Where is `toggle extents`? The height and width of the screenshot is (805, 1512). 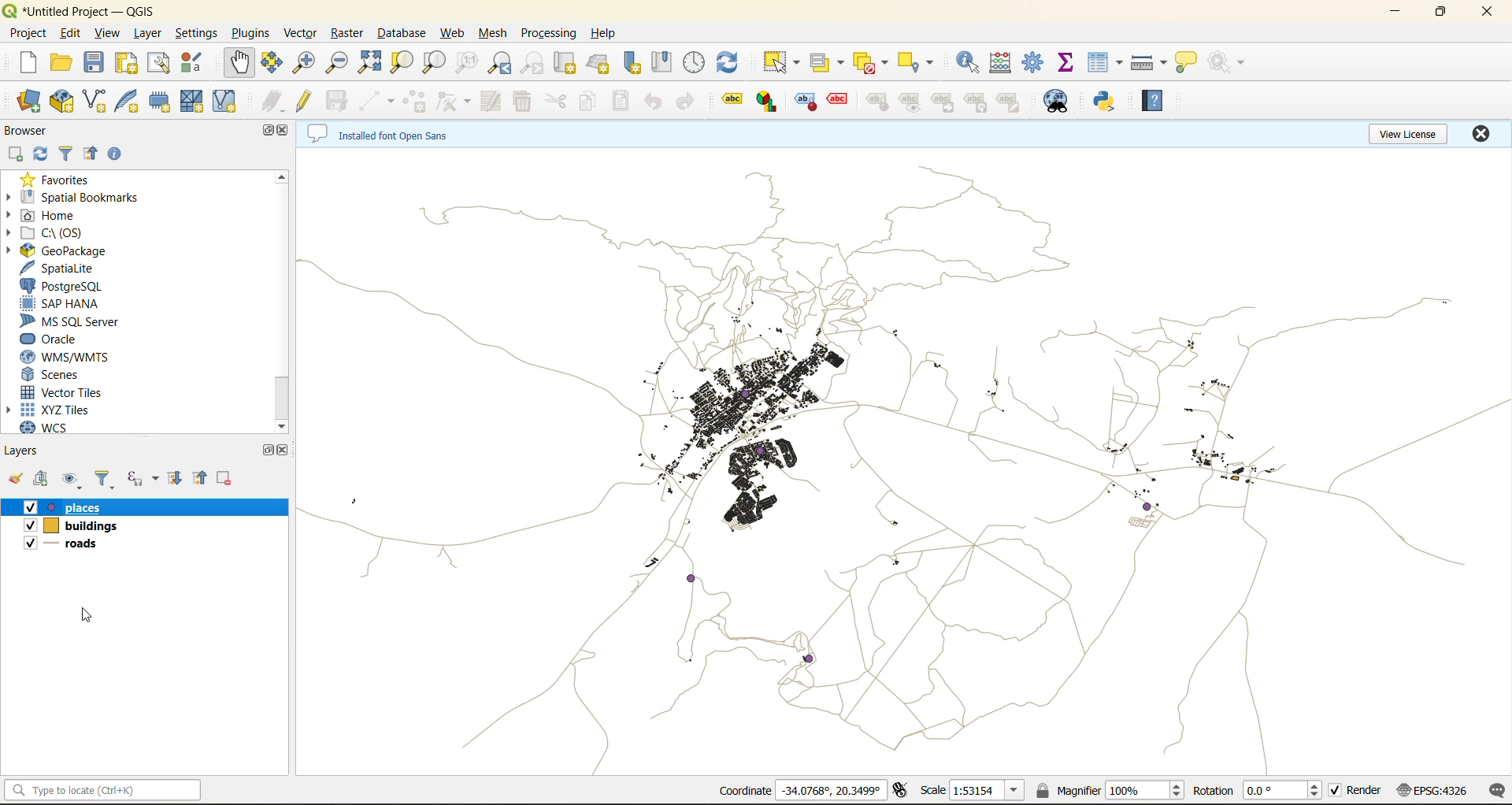
toggle extents is located at coordinates (902, 789).